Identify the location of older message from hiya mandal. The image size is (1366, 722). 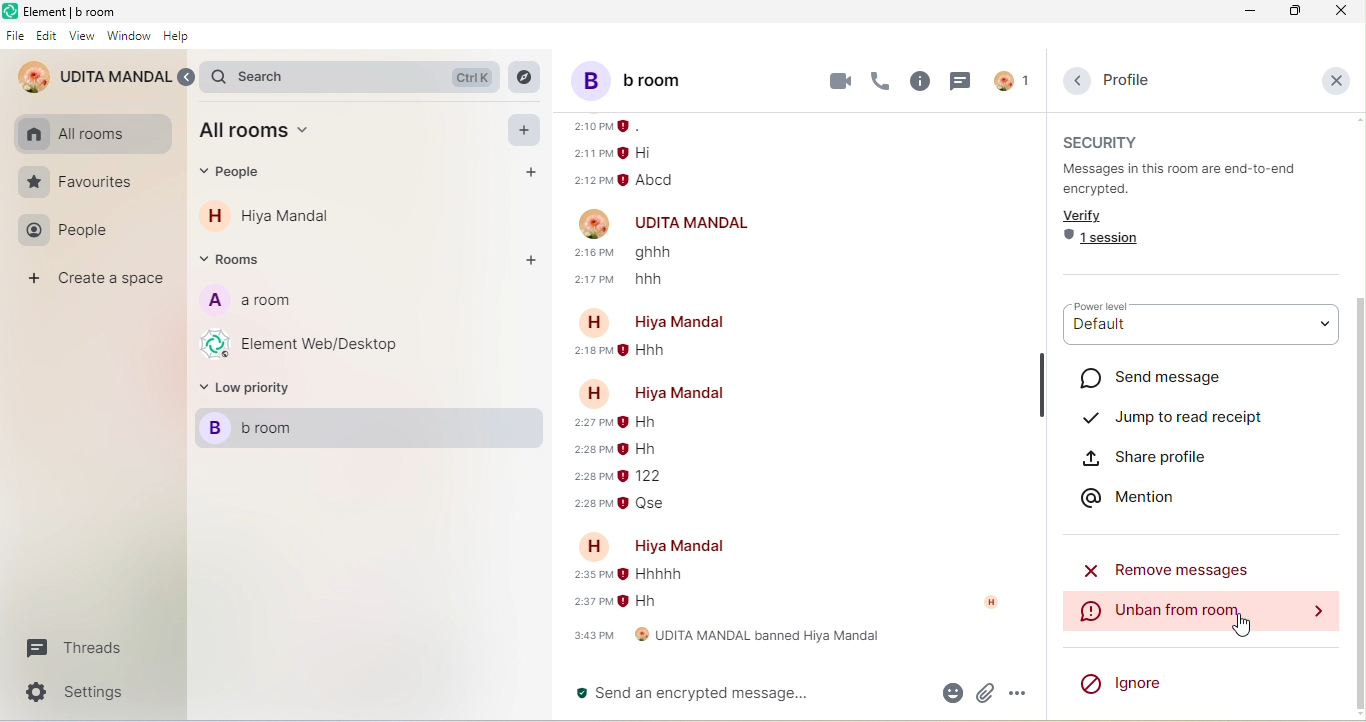
(652, 467).